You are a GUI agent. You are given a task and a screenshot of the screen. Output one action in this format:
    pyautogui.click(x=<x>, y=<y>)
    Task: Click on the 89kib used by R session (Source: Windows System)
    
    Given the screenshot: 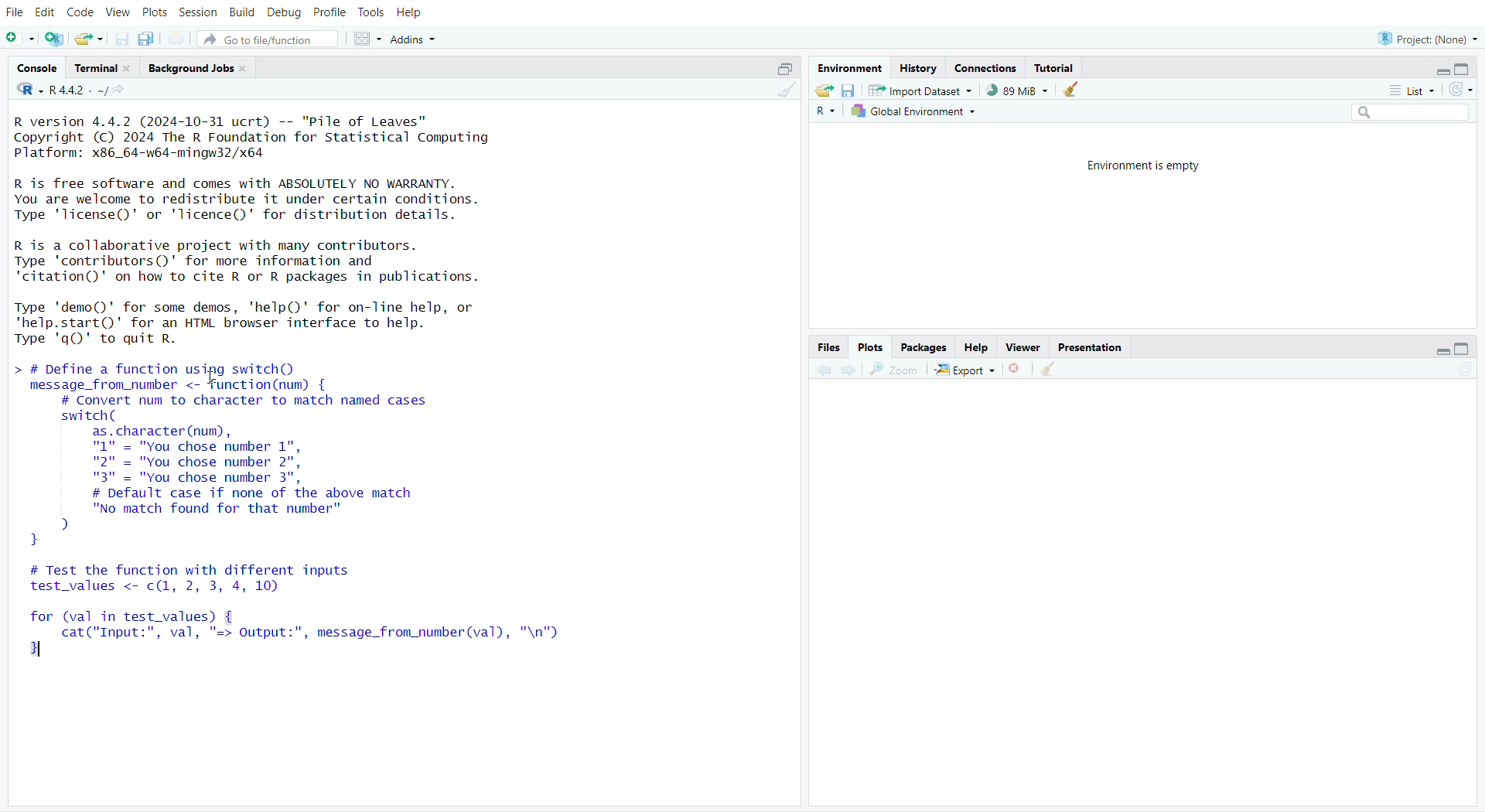 What is the action you would take?
    pyautogui.click(x=1016, y=90)
    